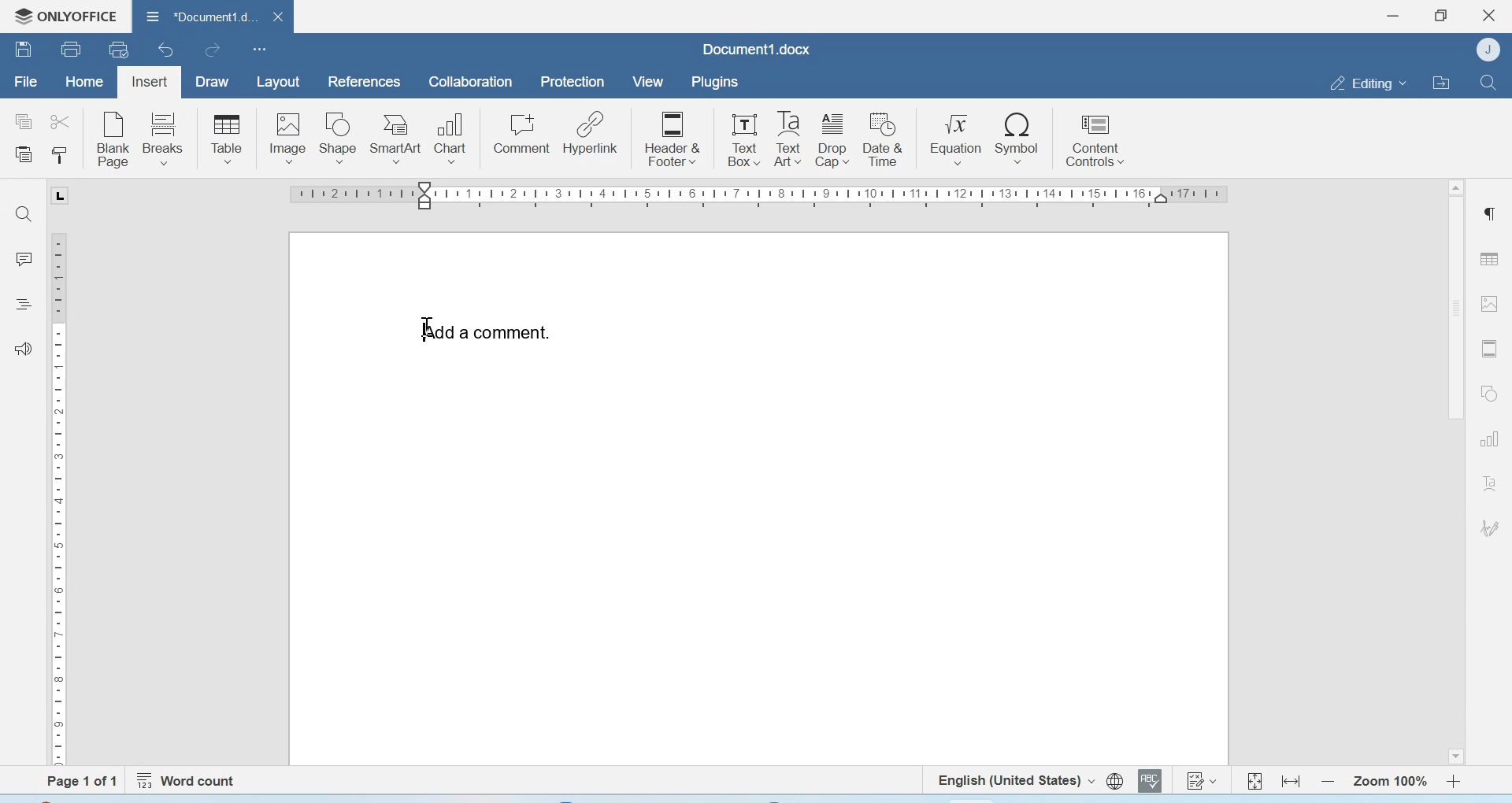  I want to click on Plugins, so click(713, 82).